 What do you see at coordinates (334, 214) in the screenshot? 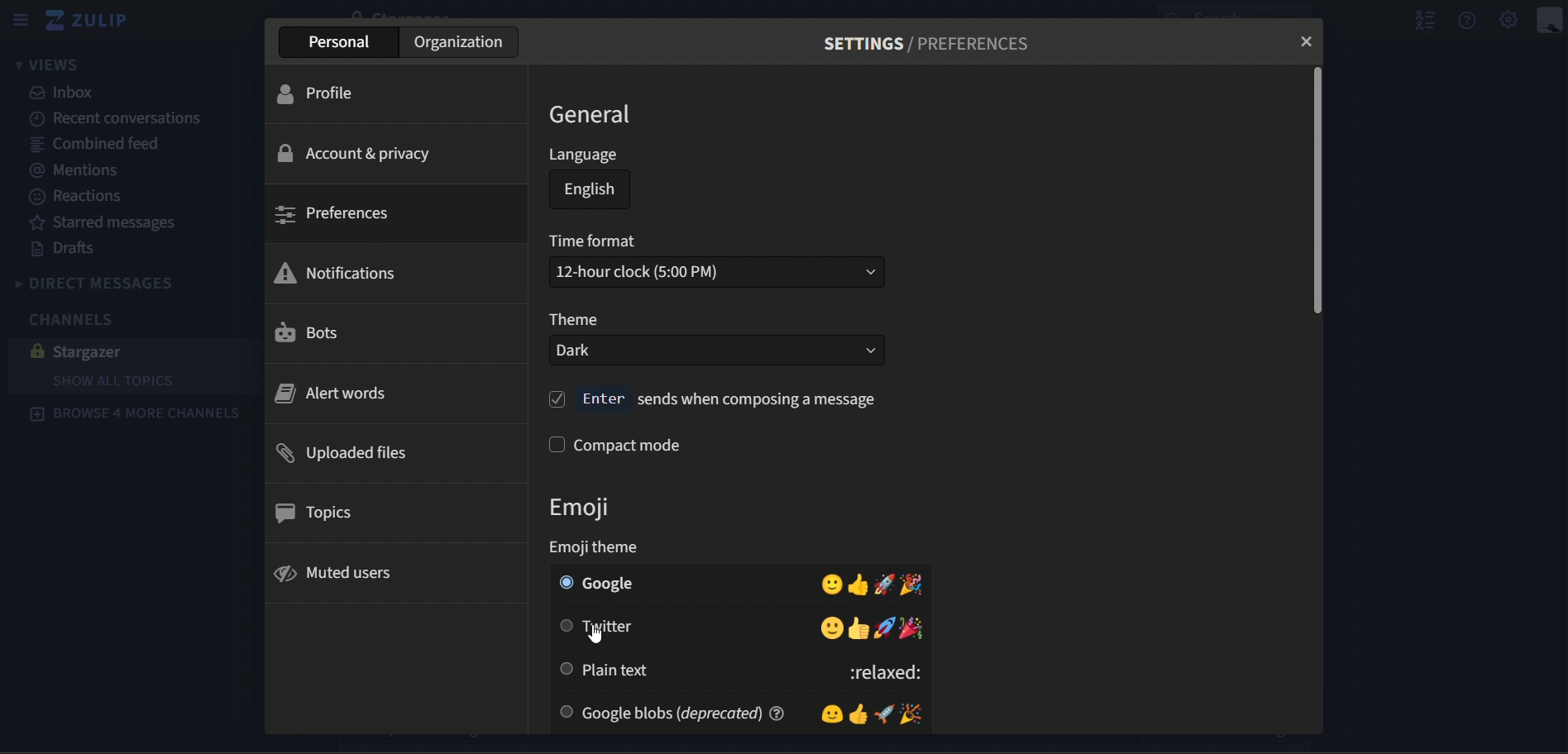
I see `preferences` at bounding box center [334, 214].